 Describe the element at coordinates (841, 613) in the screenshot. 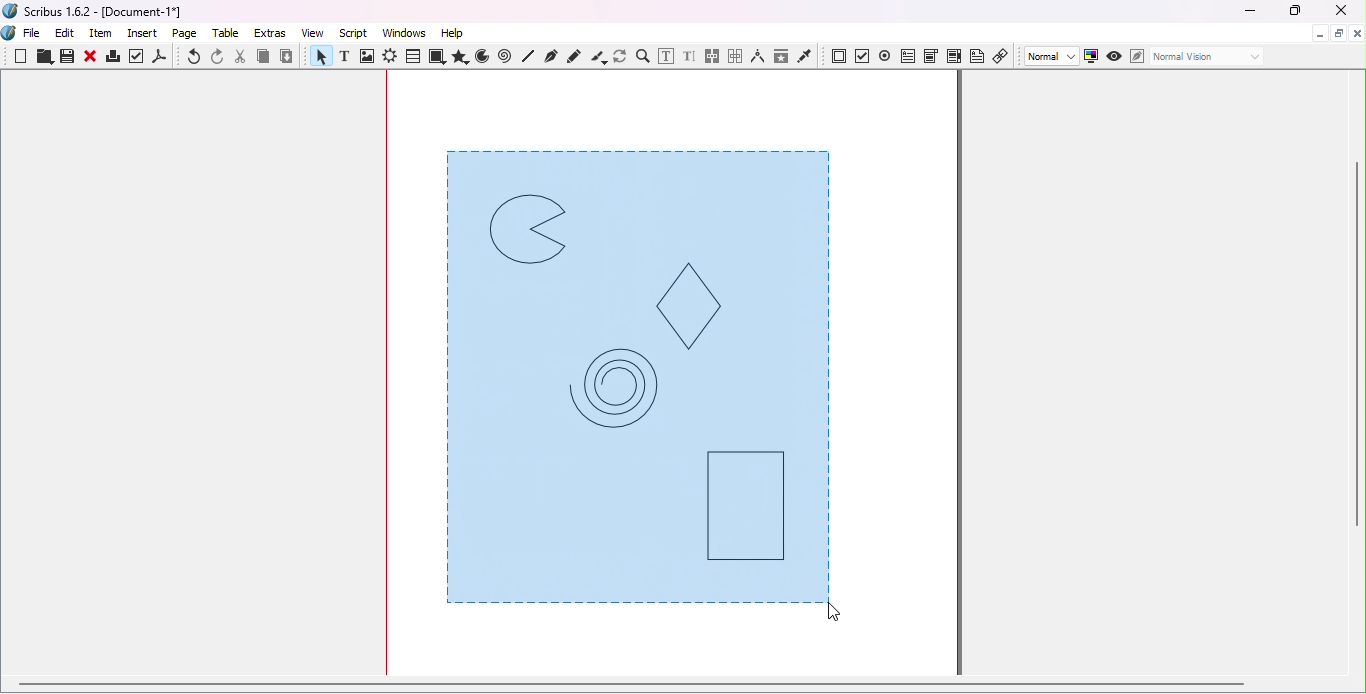

I see `Cursor` at that location.